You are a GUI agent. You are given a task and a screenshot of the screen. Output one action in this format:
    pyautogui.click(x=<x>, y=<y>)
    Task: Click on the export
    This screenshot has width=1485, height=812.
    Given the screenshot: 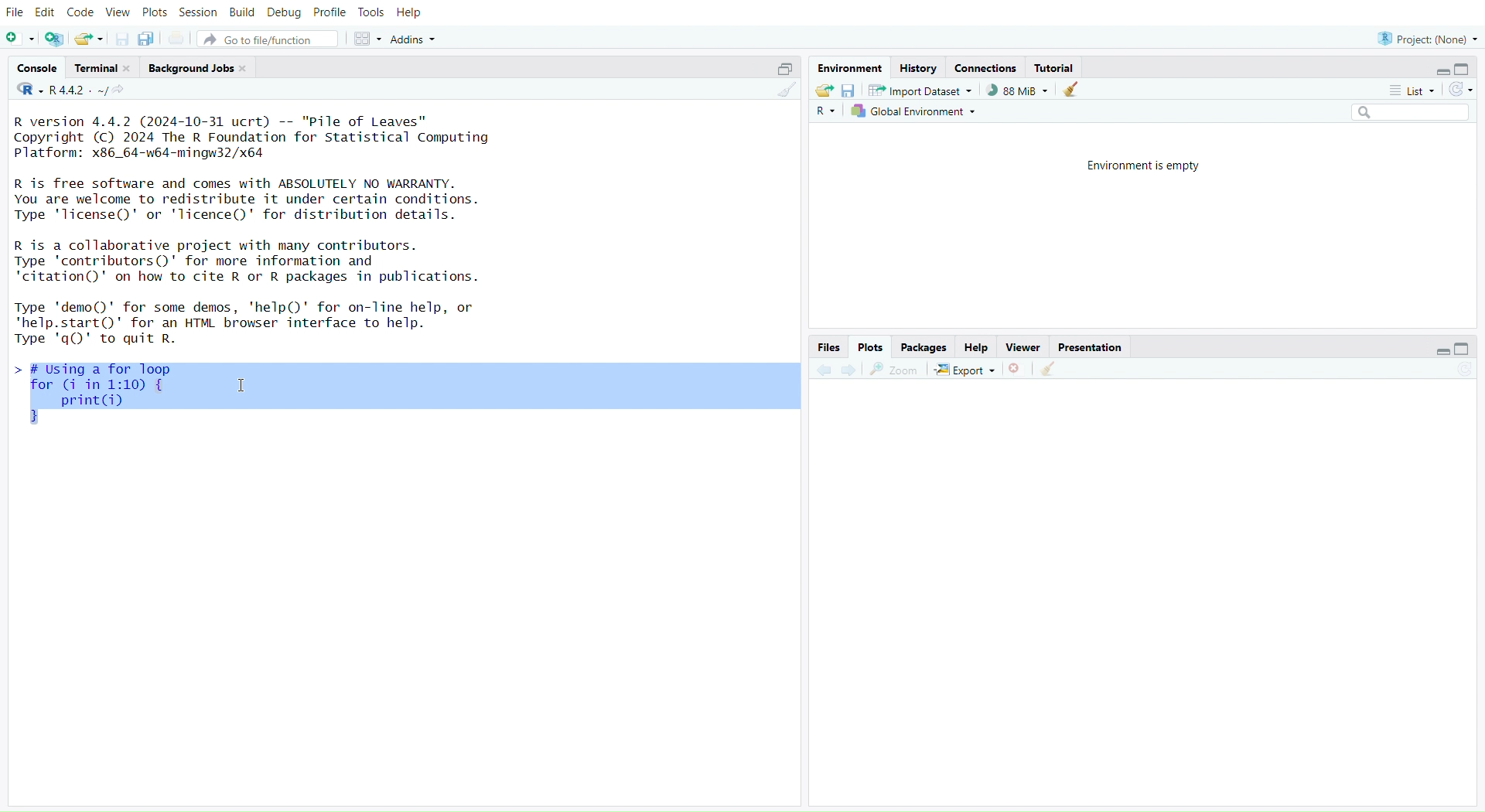 What is the action you would take?
    pyautogui.click(x=963, y=371)
    